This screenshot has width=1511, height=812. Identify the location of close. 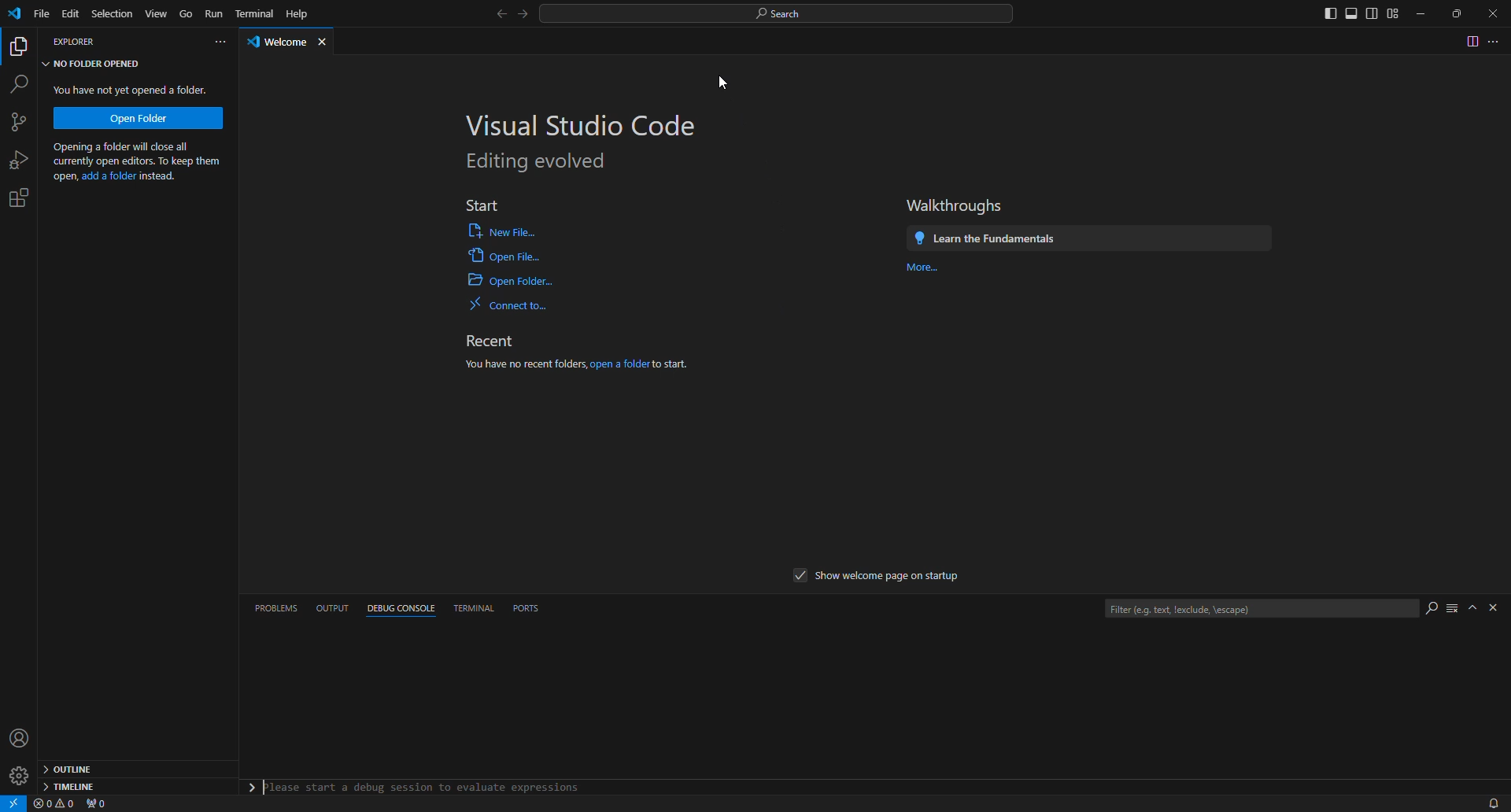
(327, 44).